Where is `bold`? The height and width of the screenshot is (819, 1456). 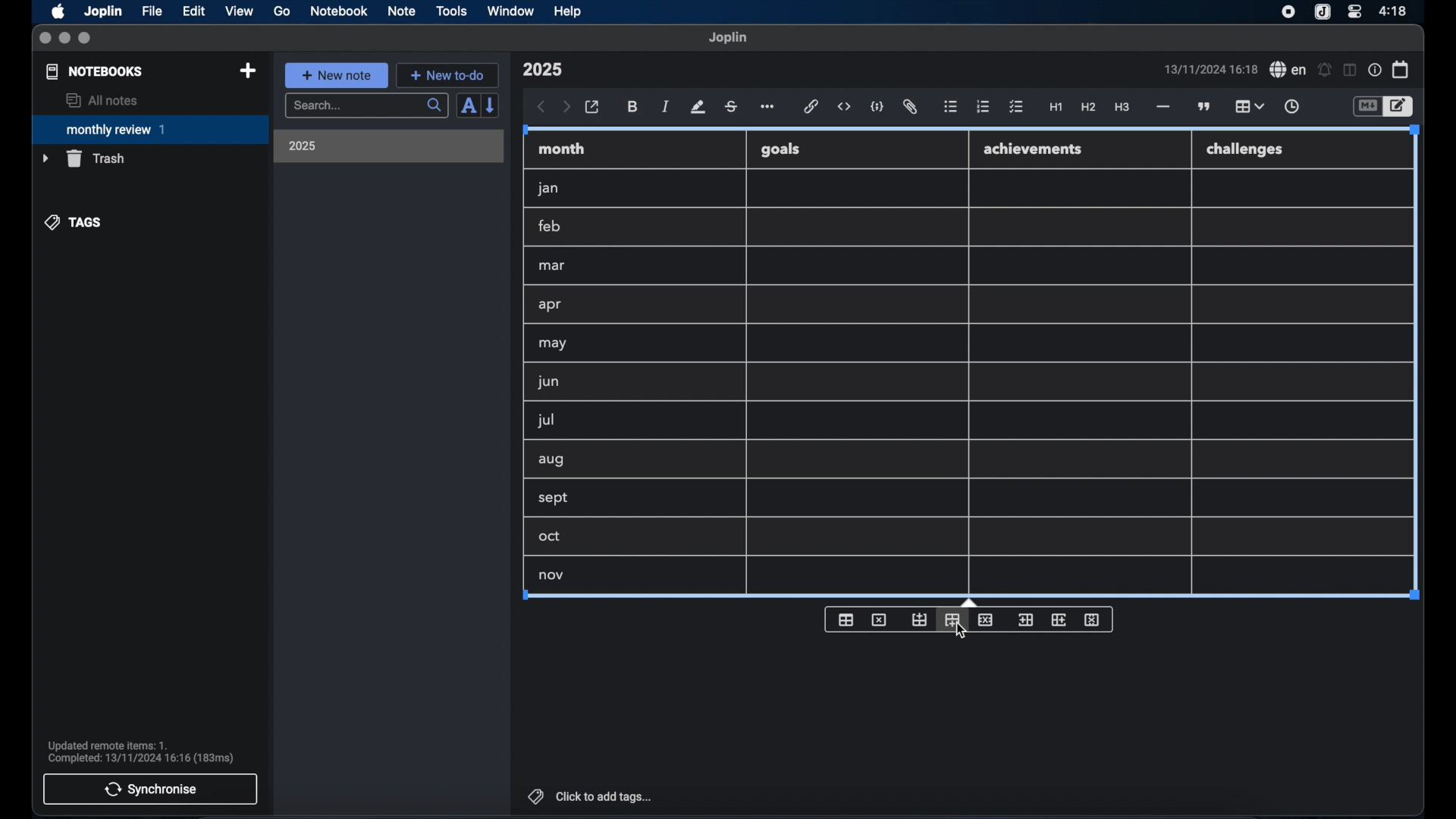
bold is located at coordinates (634, 107).